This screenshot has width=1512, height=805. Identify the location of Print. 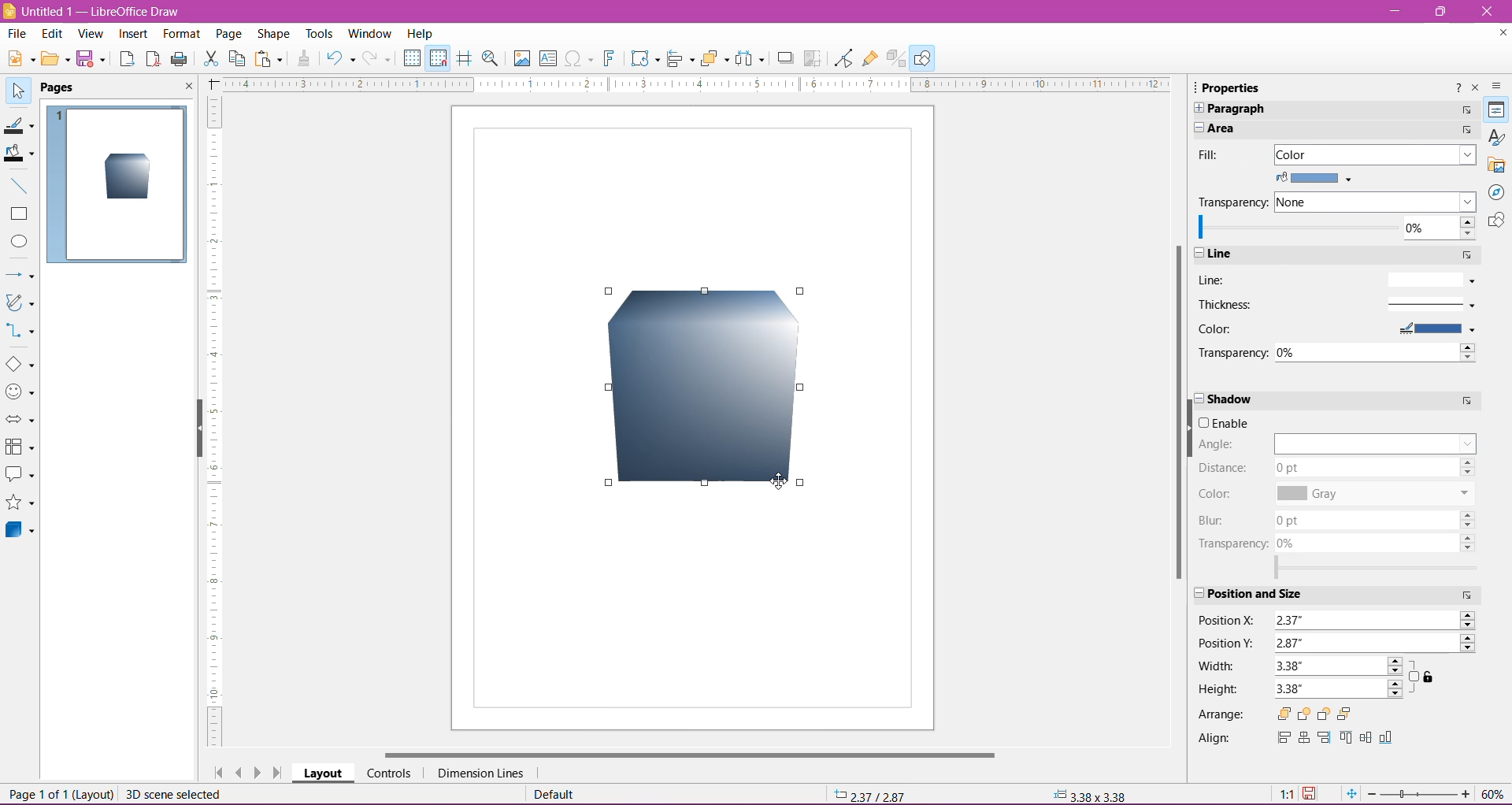
(180, 60).